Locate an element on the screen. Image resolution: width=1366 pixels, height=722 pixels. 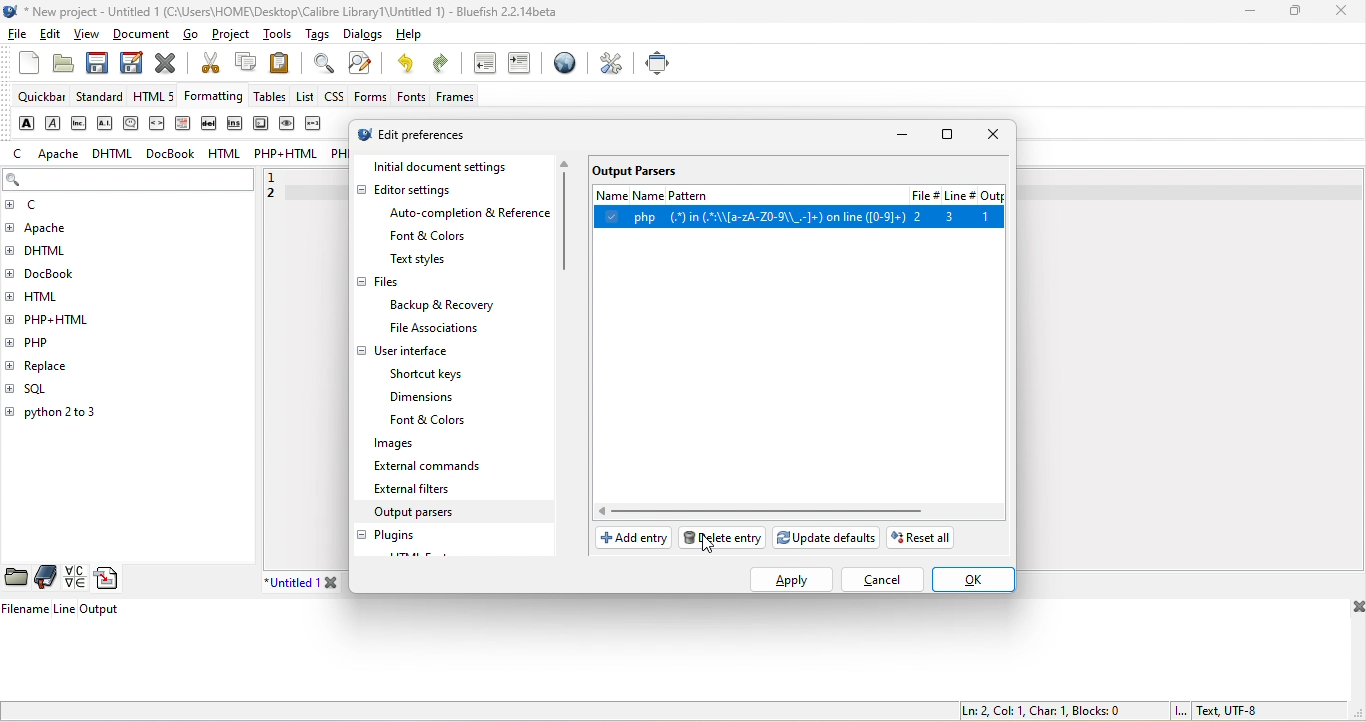
paste is located at coordinates (286, 62).